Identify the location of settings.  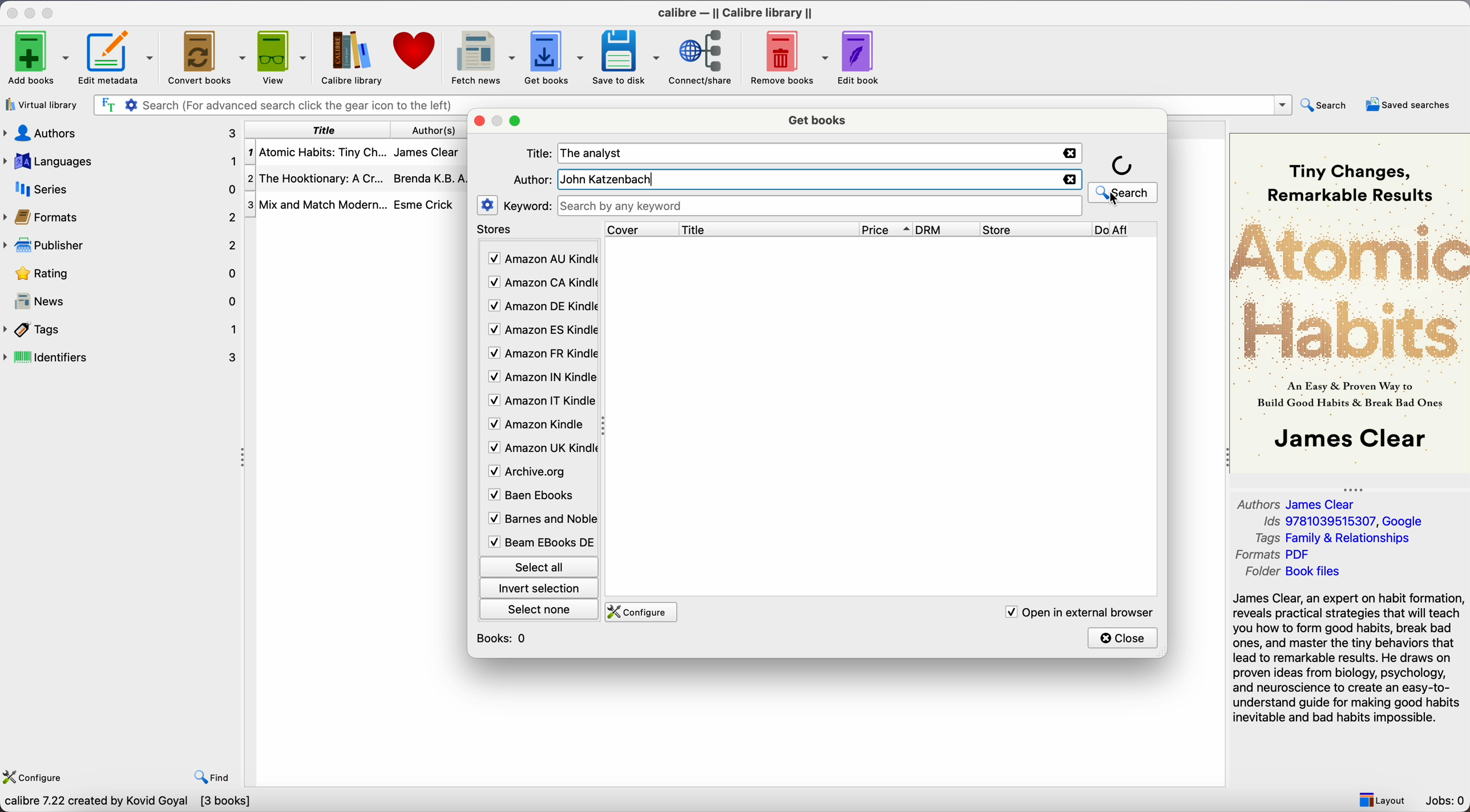
(487, 205).